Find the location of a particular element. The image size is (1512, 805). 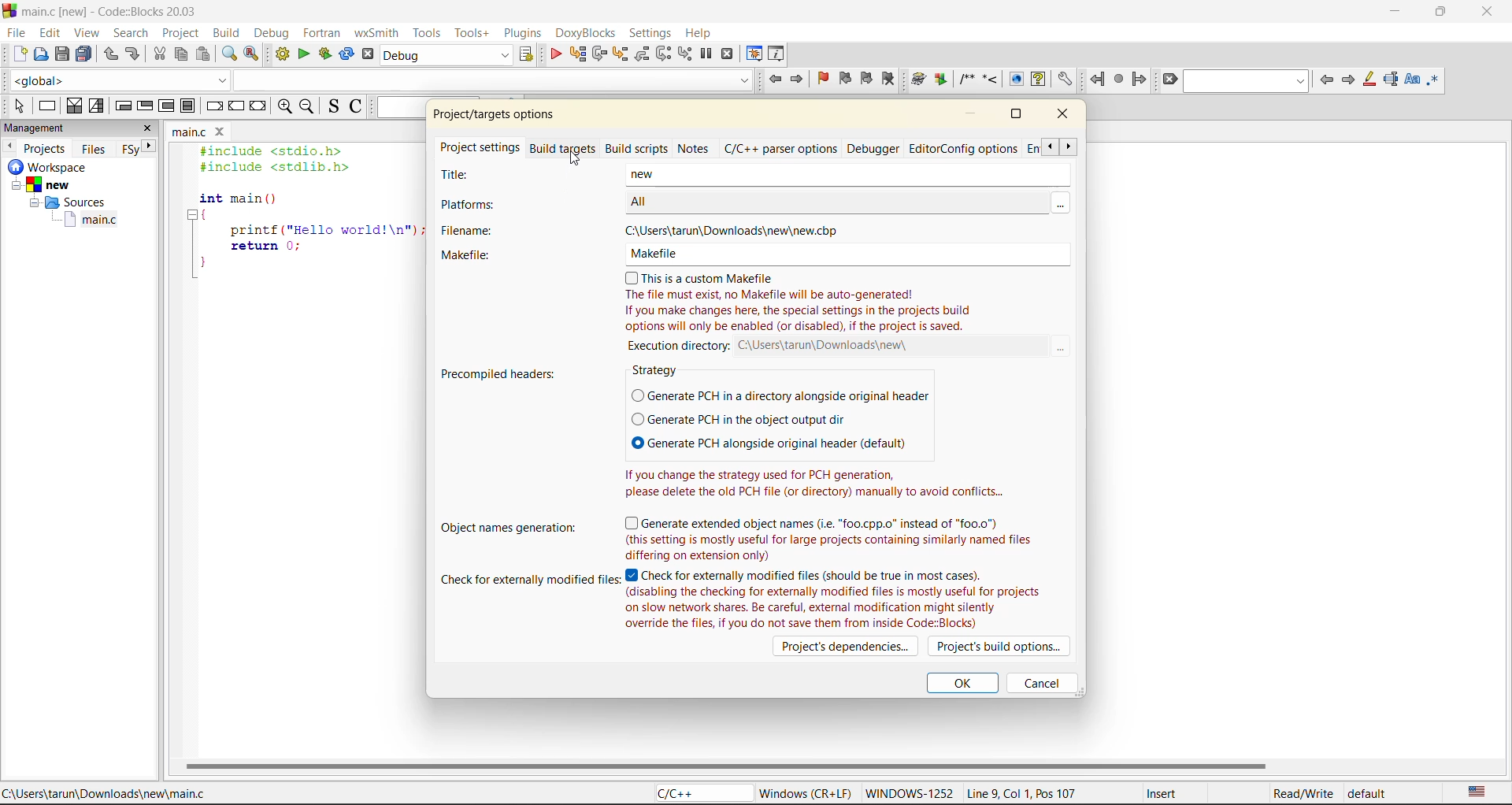

zoom out is located at coordinates (308, 108).